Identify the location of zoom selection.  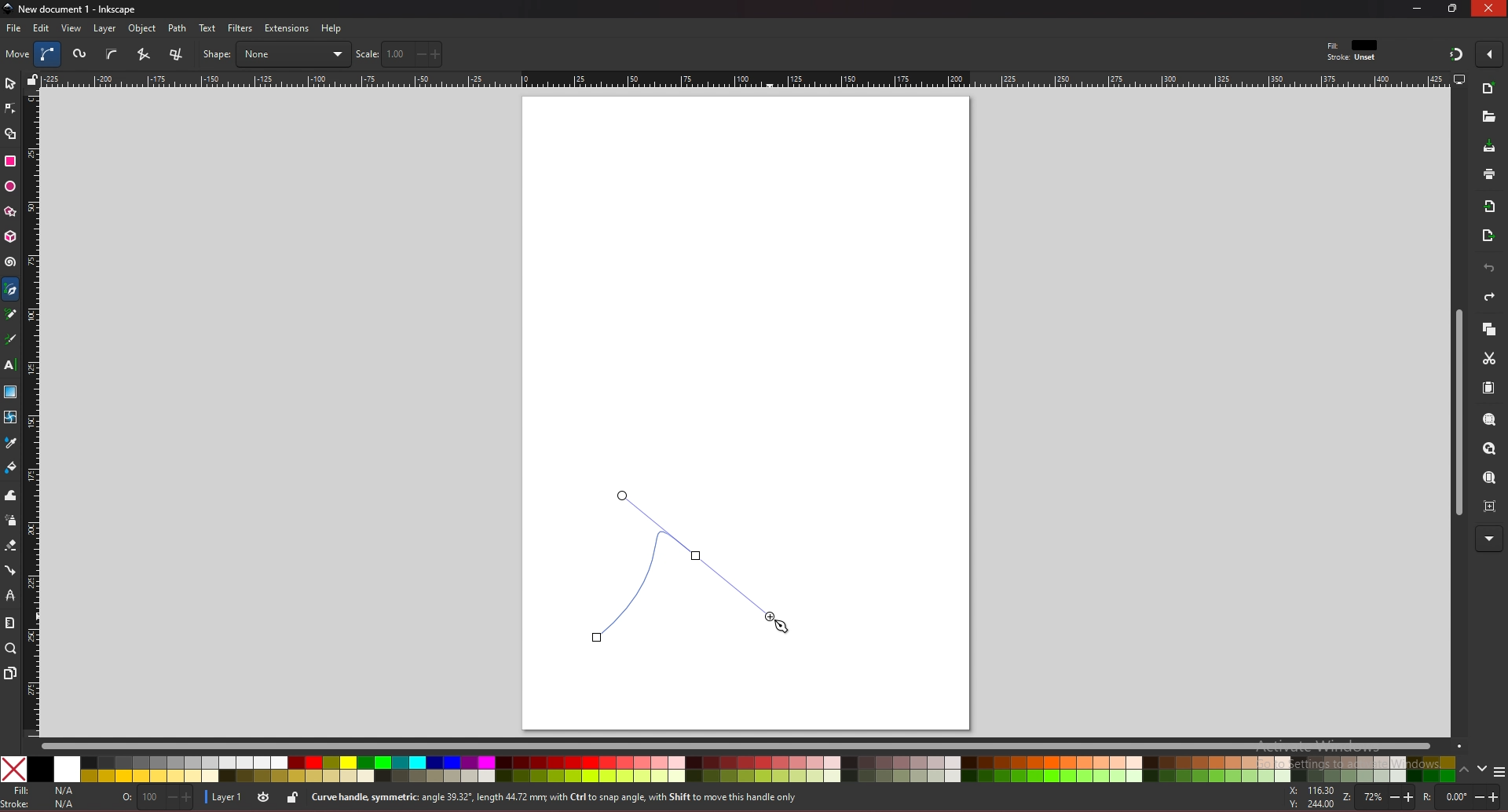
(1491, 421).